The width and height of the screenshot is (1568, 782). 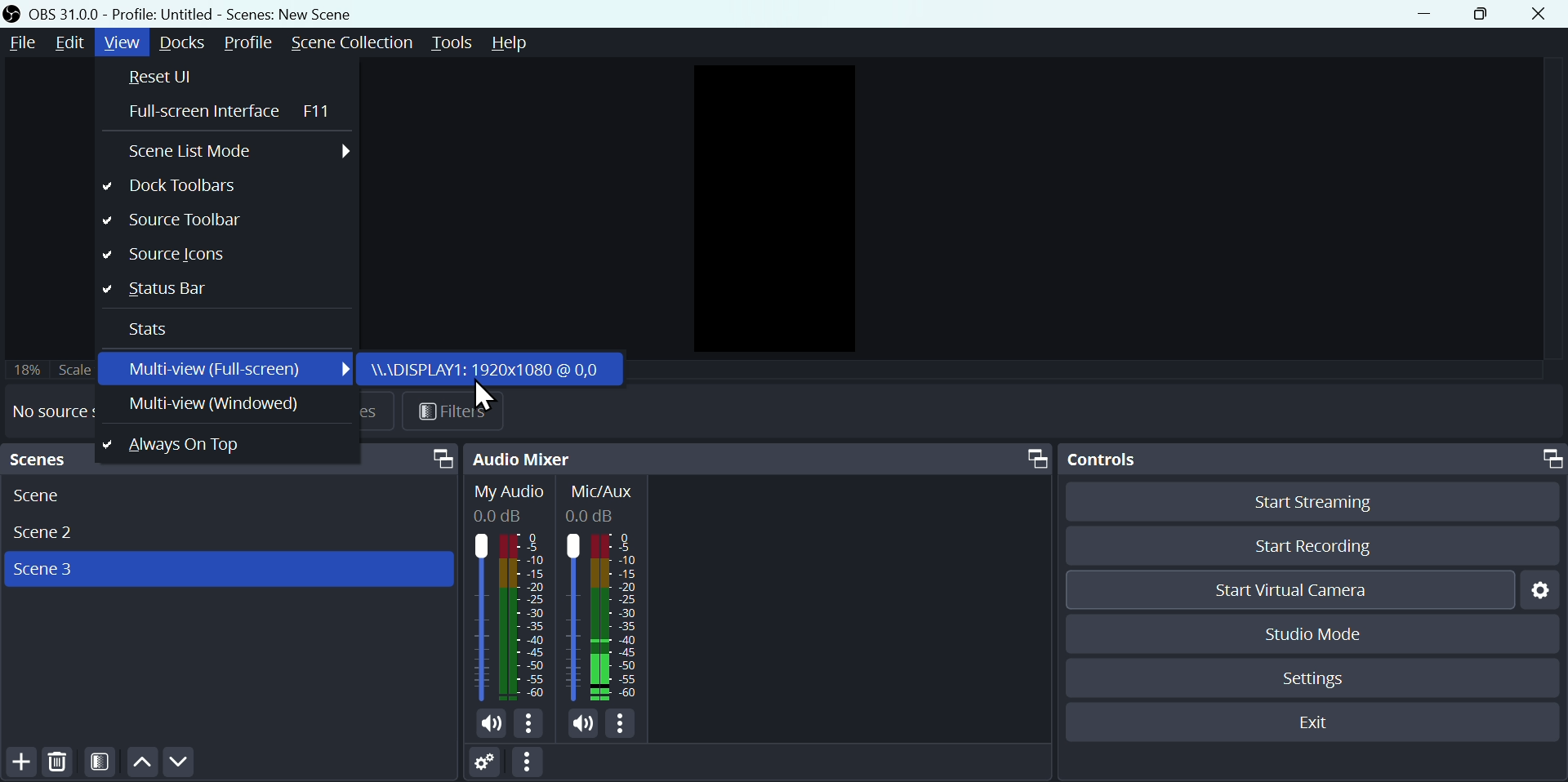 What do you see at coordinates (483, 394) in the screenshot?
I see `Cursor` at bounding box center [483, 394].